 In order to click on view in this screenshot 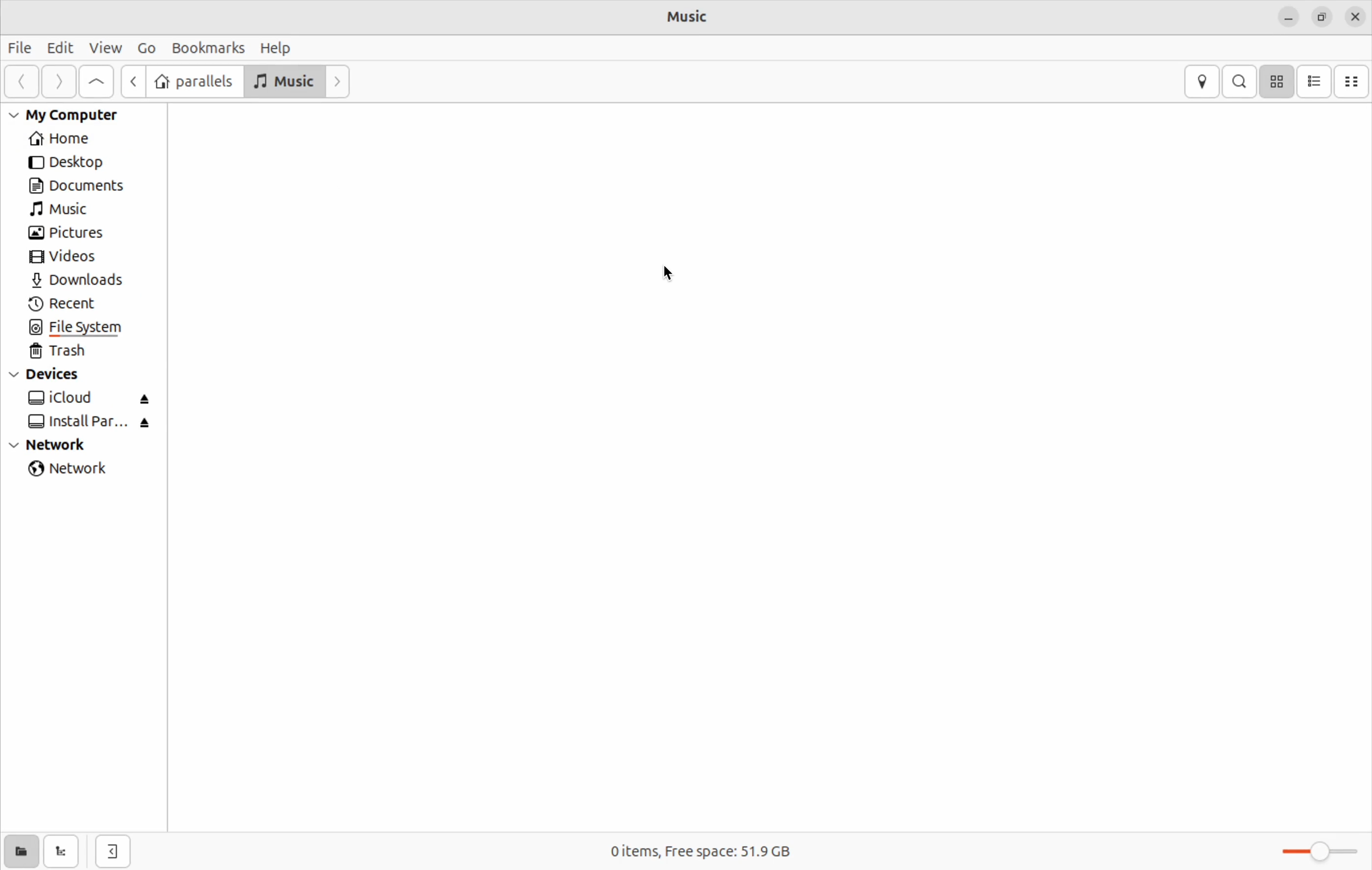, I will do `click(105, 47)`.